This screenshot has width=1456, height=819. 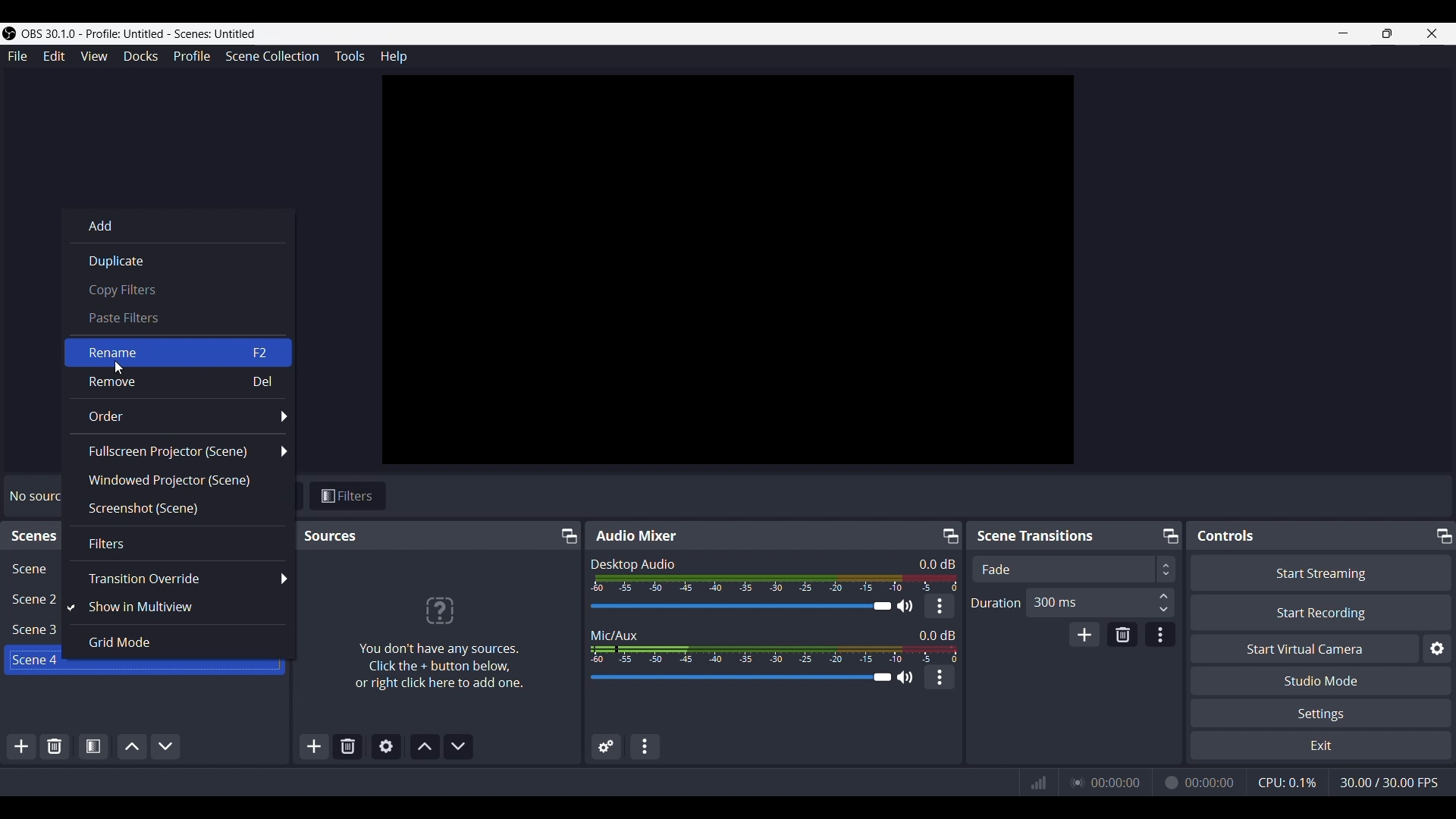 I want to click on Remove, so click(x=112, y=382).